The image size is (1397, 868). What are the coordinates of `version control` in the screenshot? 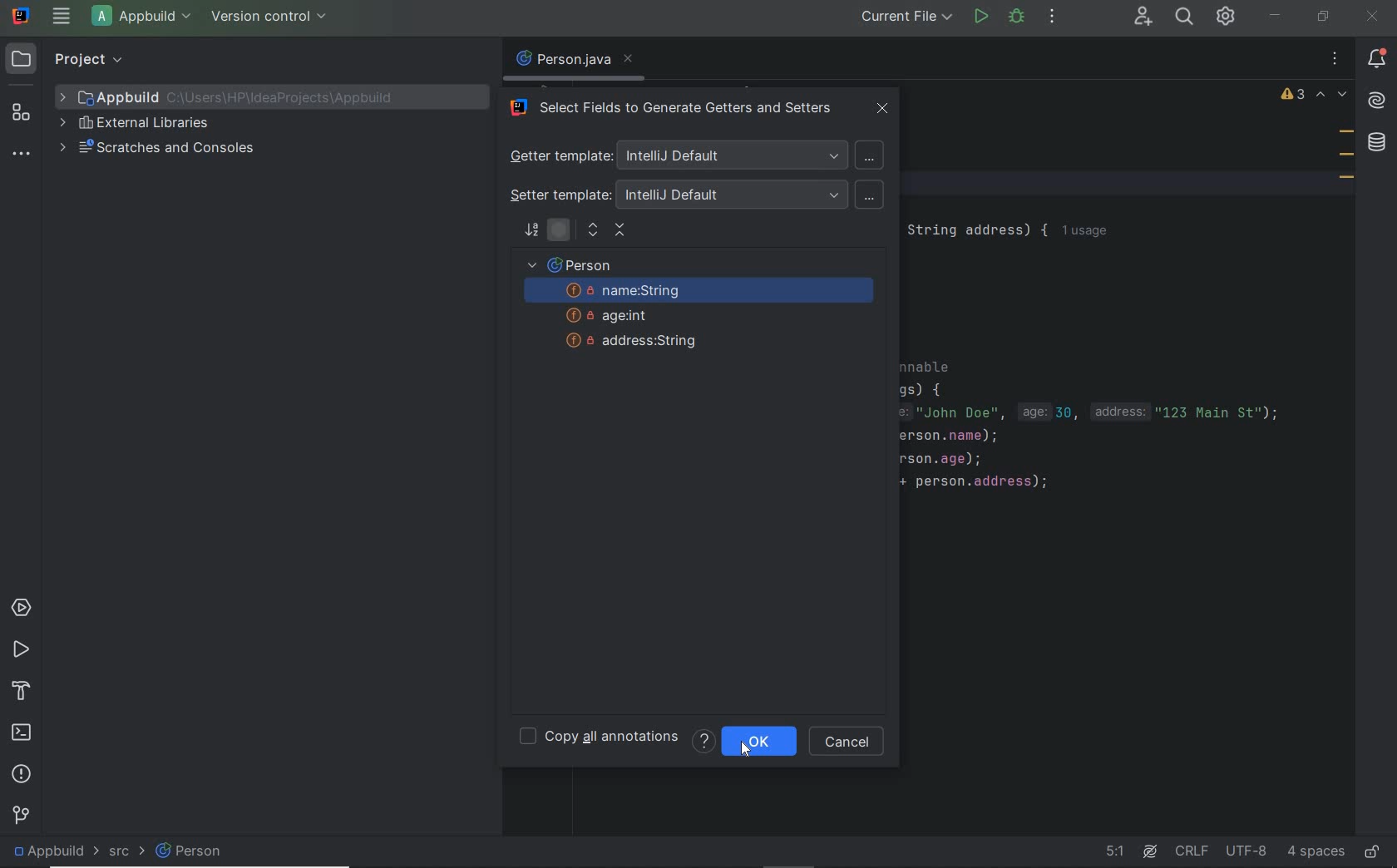 It's located at (22, 814).